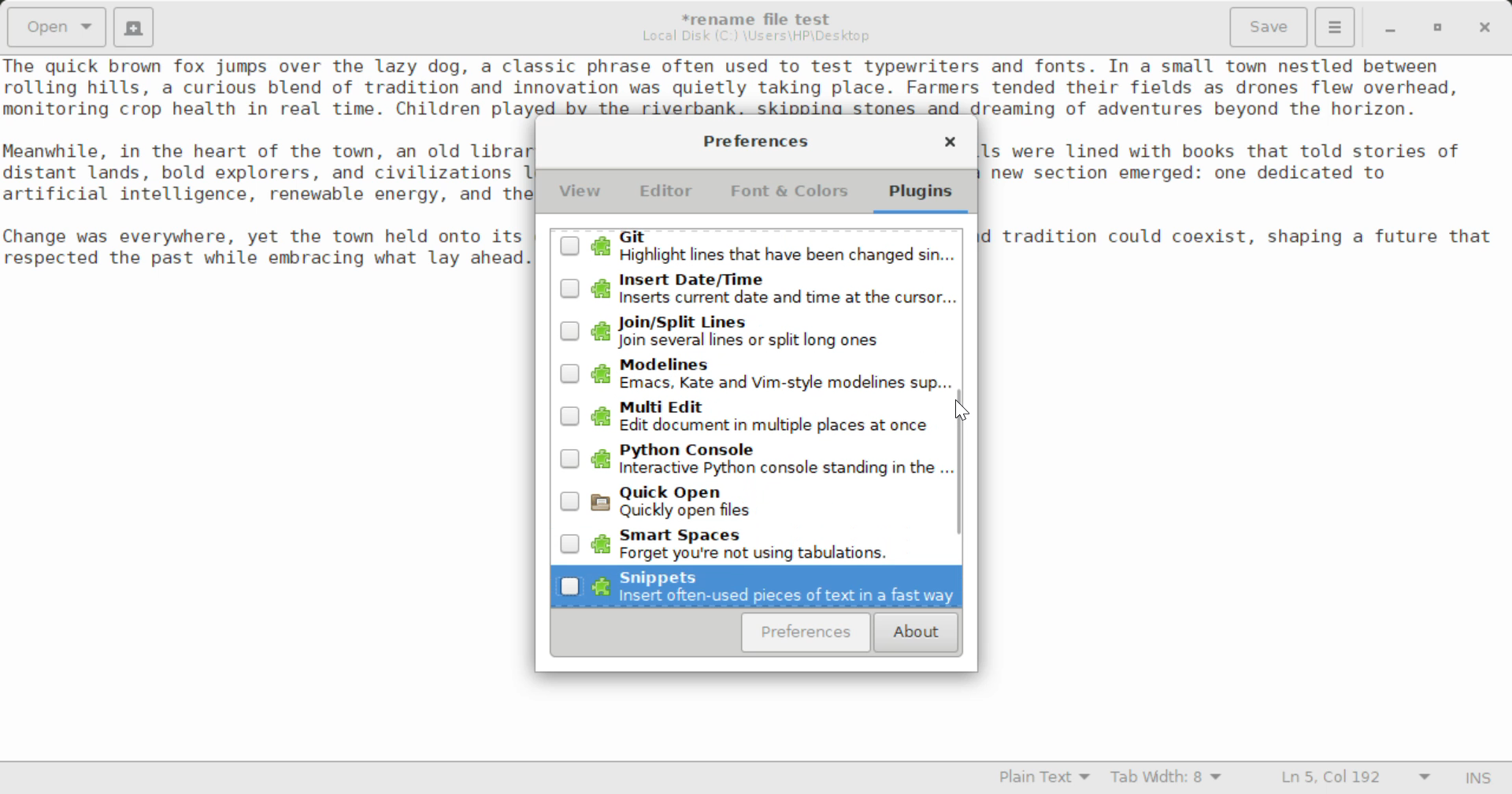  I want to click on Save, so click(1270, 28).